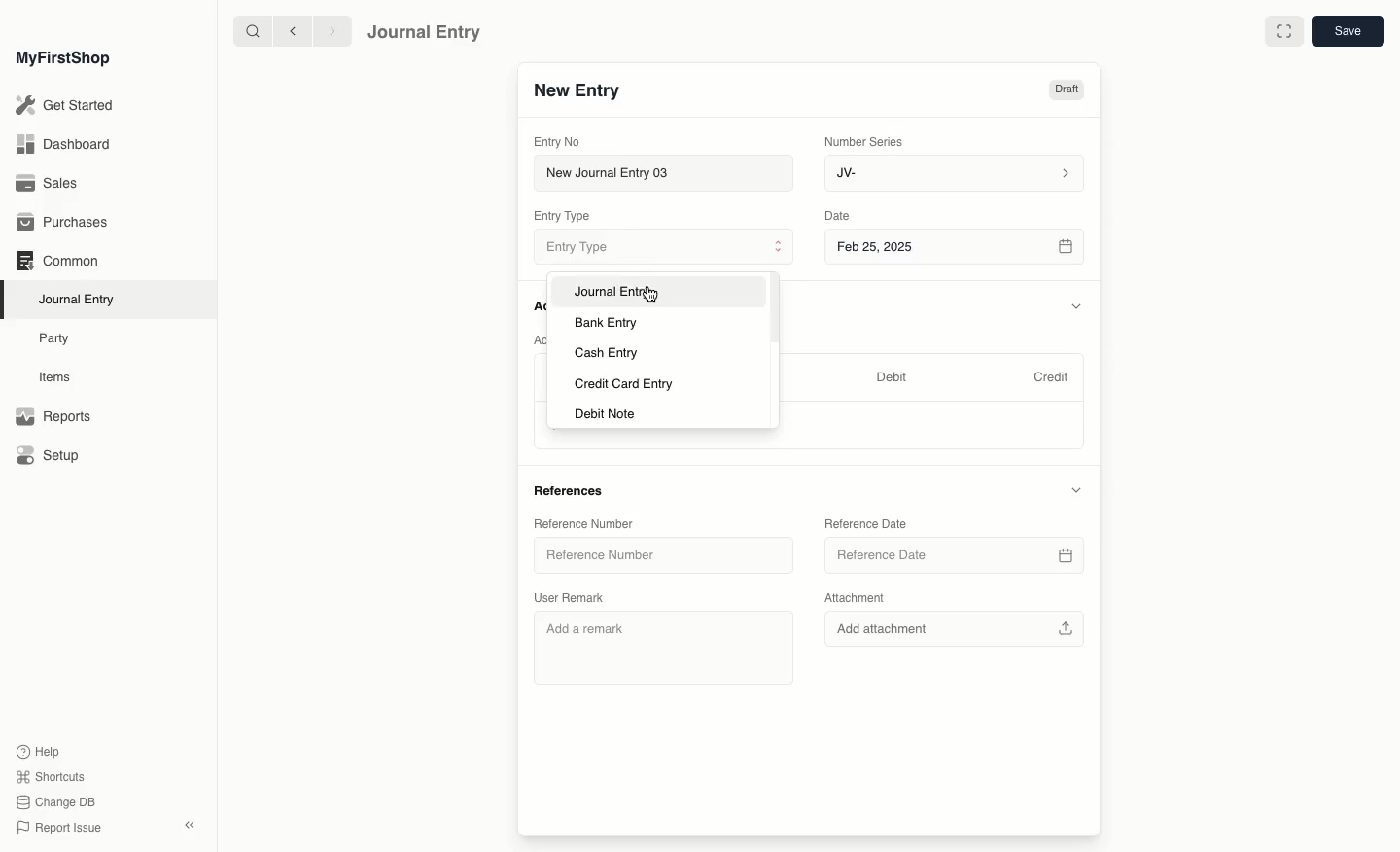  Describe the element at coordinates (864, 140) in the screenshot. I see `‘Number Series` at that location.